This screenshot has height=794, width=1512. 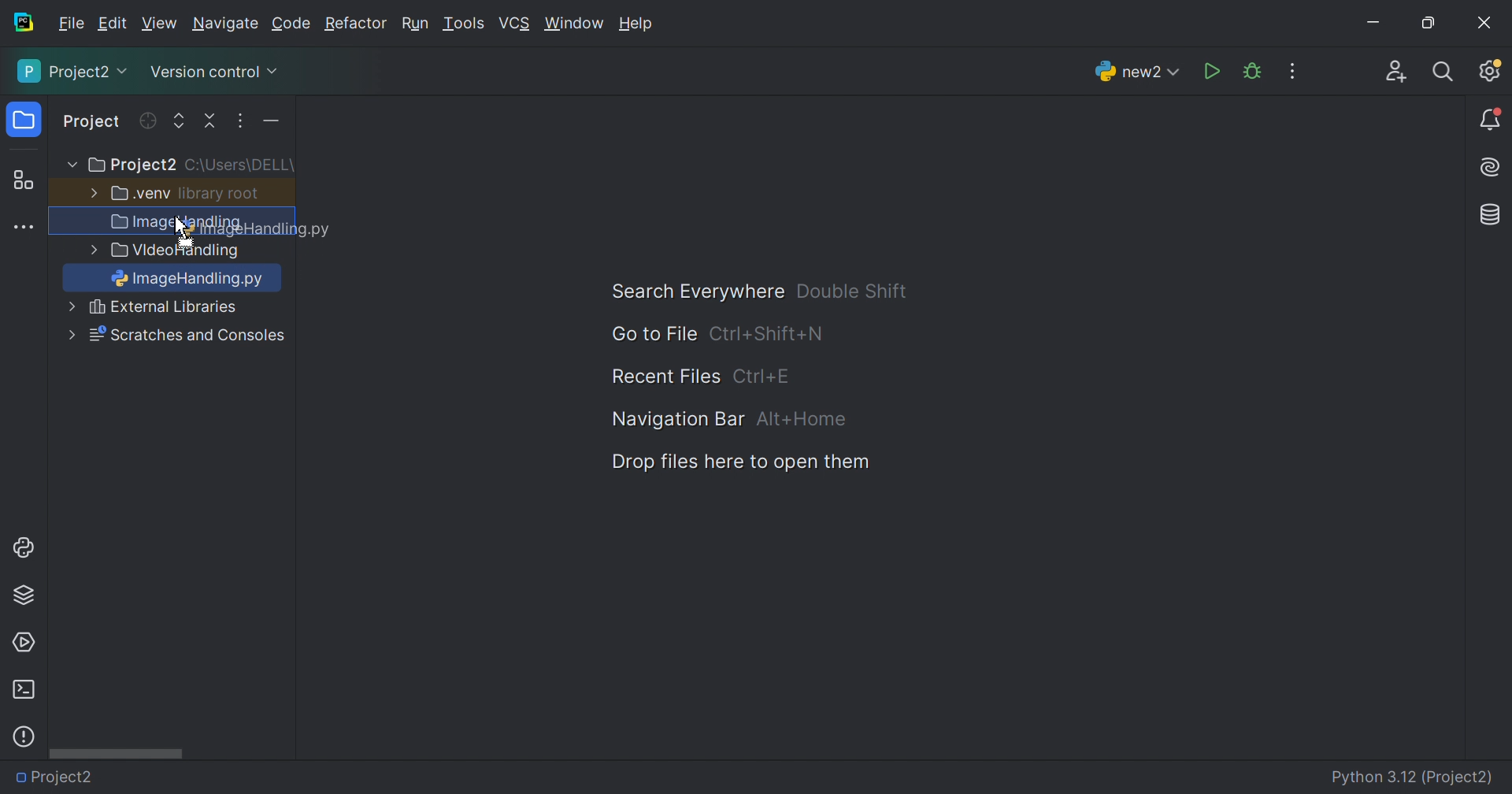 What do you see at coordinates (1492, 121) in the screenshot?
I see `Notifications` at bounding box center [1492, 121].